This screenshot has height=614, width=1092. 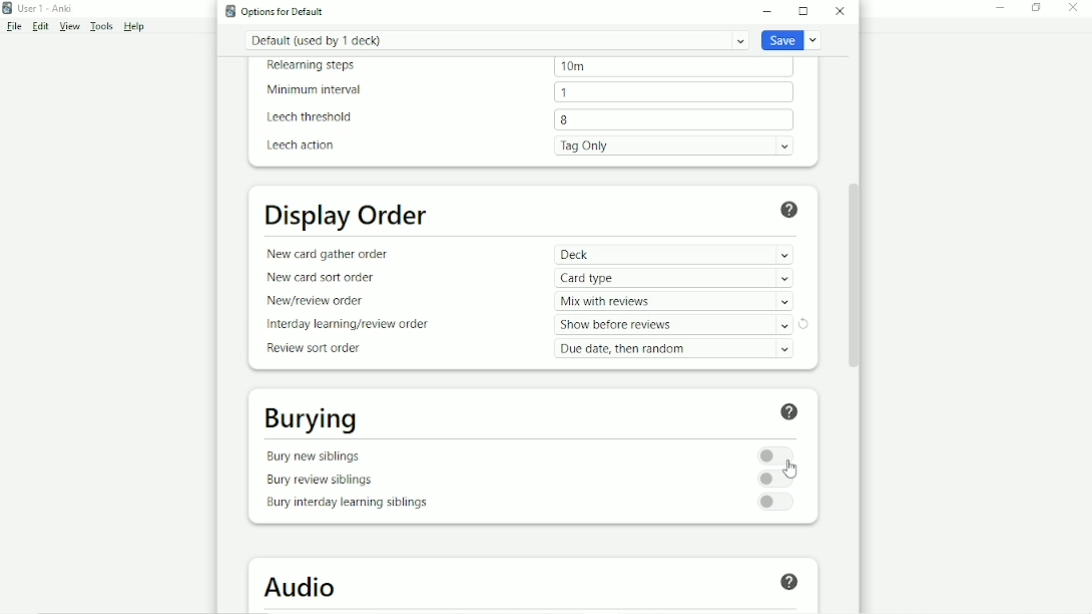 What do you see at coordinates (792, 583) in the screenshot?
I see `Help` at bounding box center [792, 583].